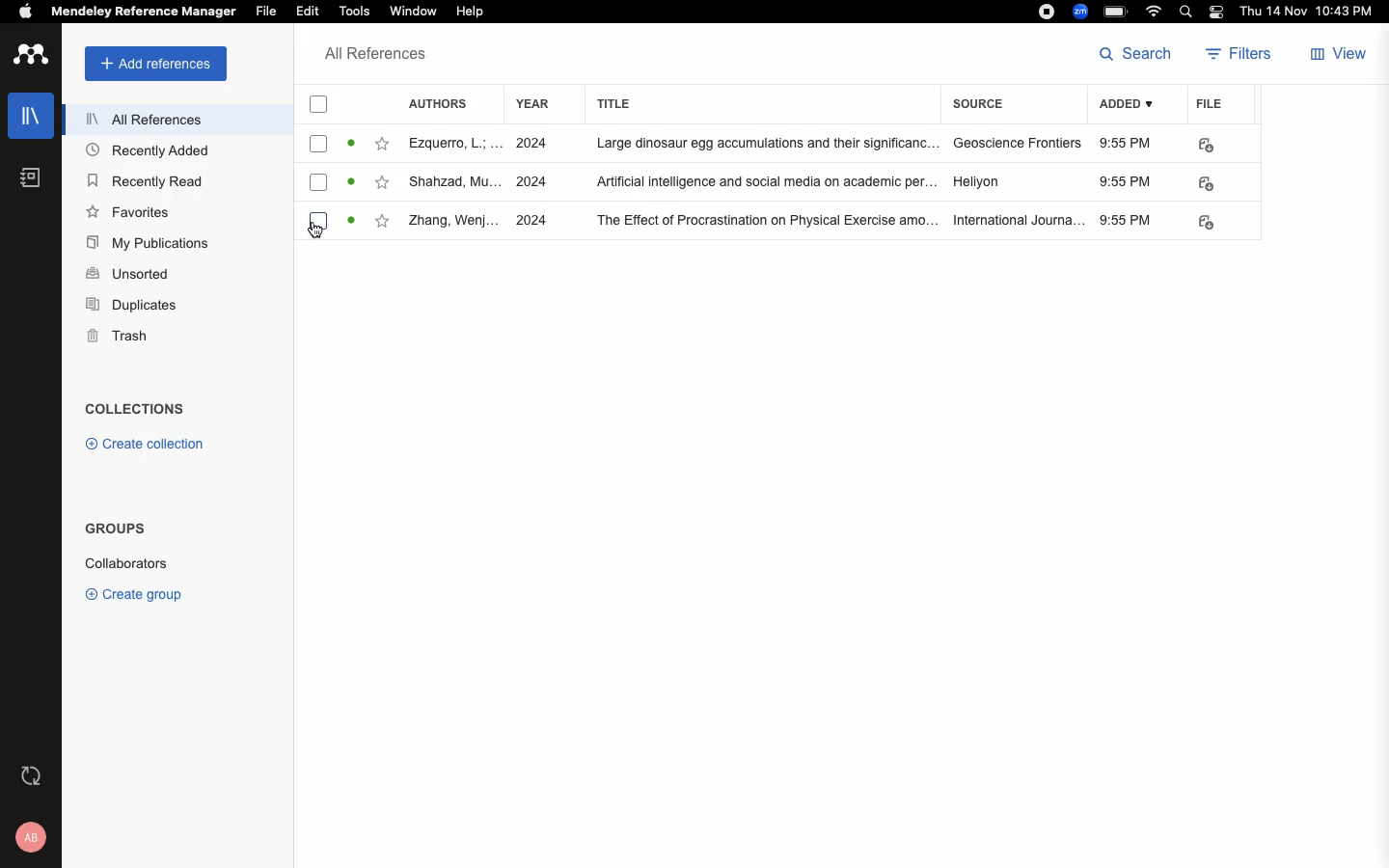 This screenshot has height=868, width=1389. I want to click on File, so click(1210, 102).